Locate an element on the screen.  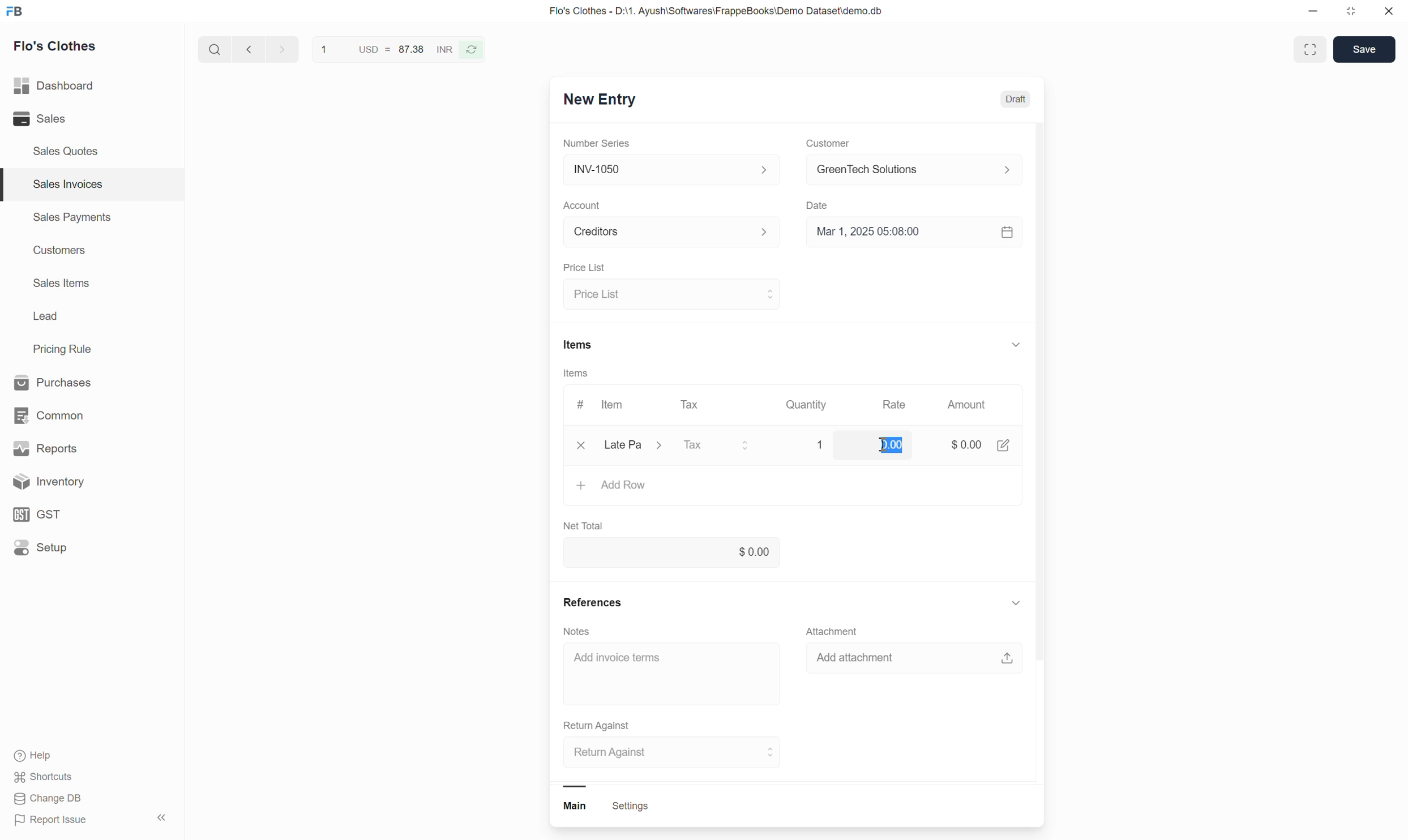
Select Account is located at coordinates (666, 235).